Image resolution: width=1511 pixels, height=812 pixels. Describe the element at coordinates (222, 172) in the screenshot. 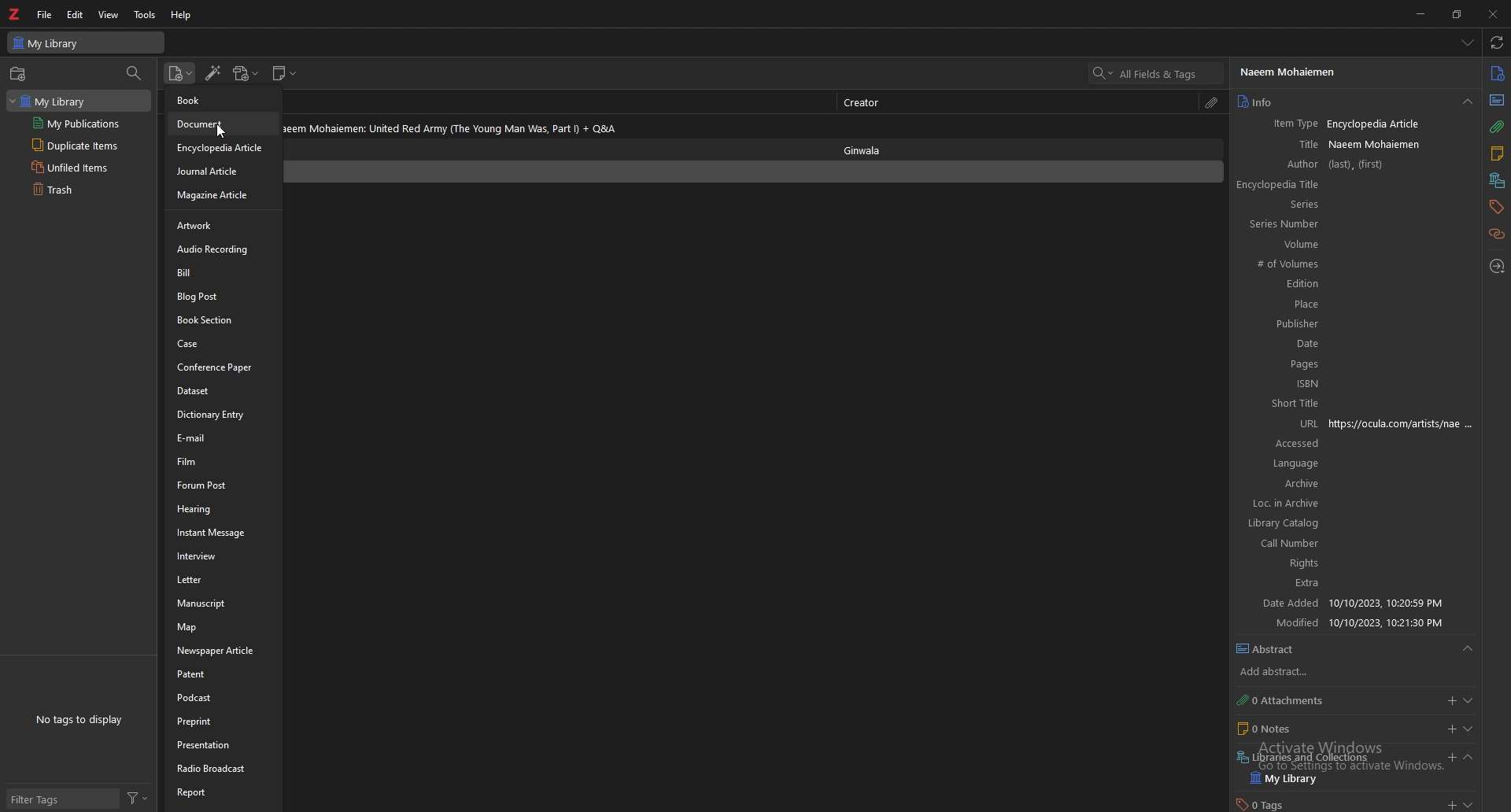

I see `journal article` at that location.